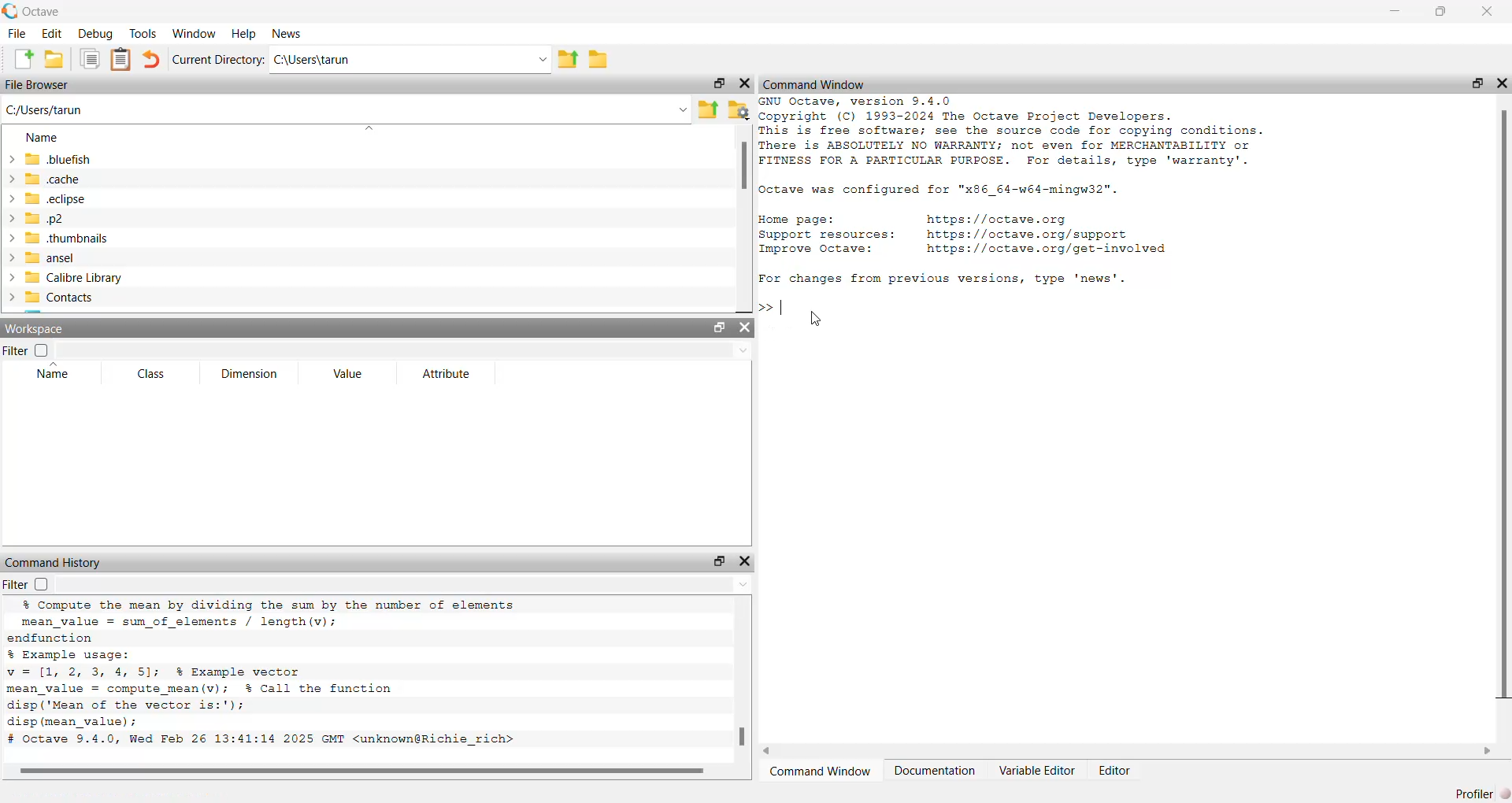  What do you see at coordinates (1114, 771) in the screenshot?
I see `Editor` at bounding box center [1114, 771].